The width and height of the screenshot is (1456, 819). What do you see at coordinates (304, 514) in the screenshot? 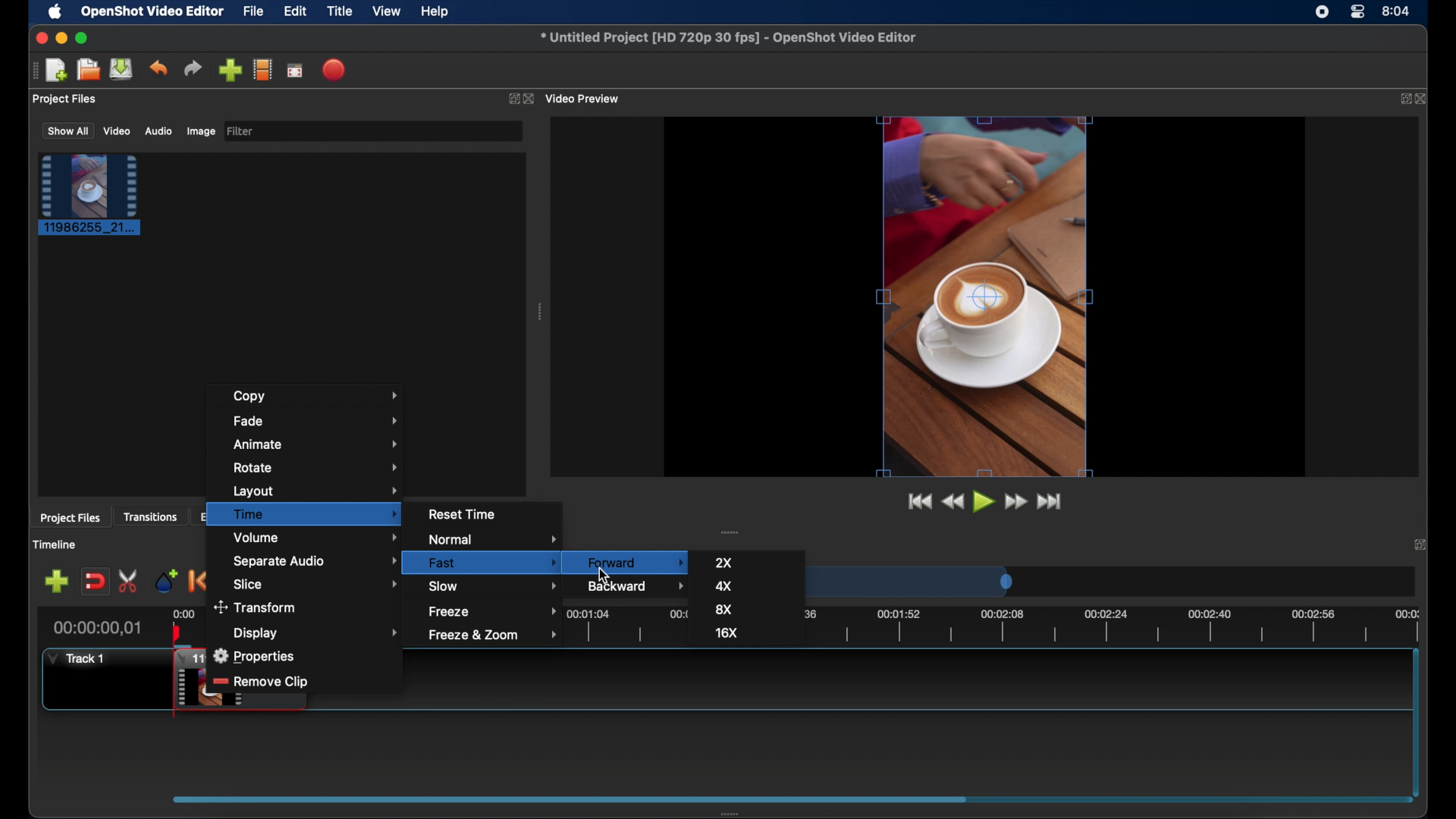
I see `time menu highlighted` at bounding box center [304, 514].